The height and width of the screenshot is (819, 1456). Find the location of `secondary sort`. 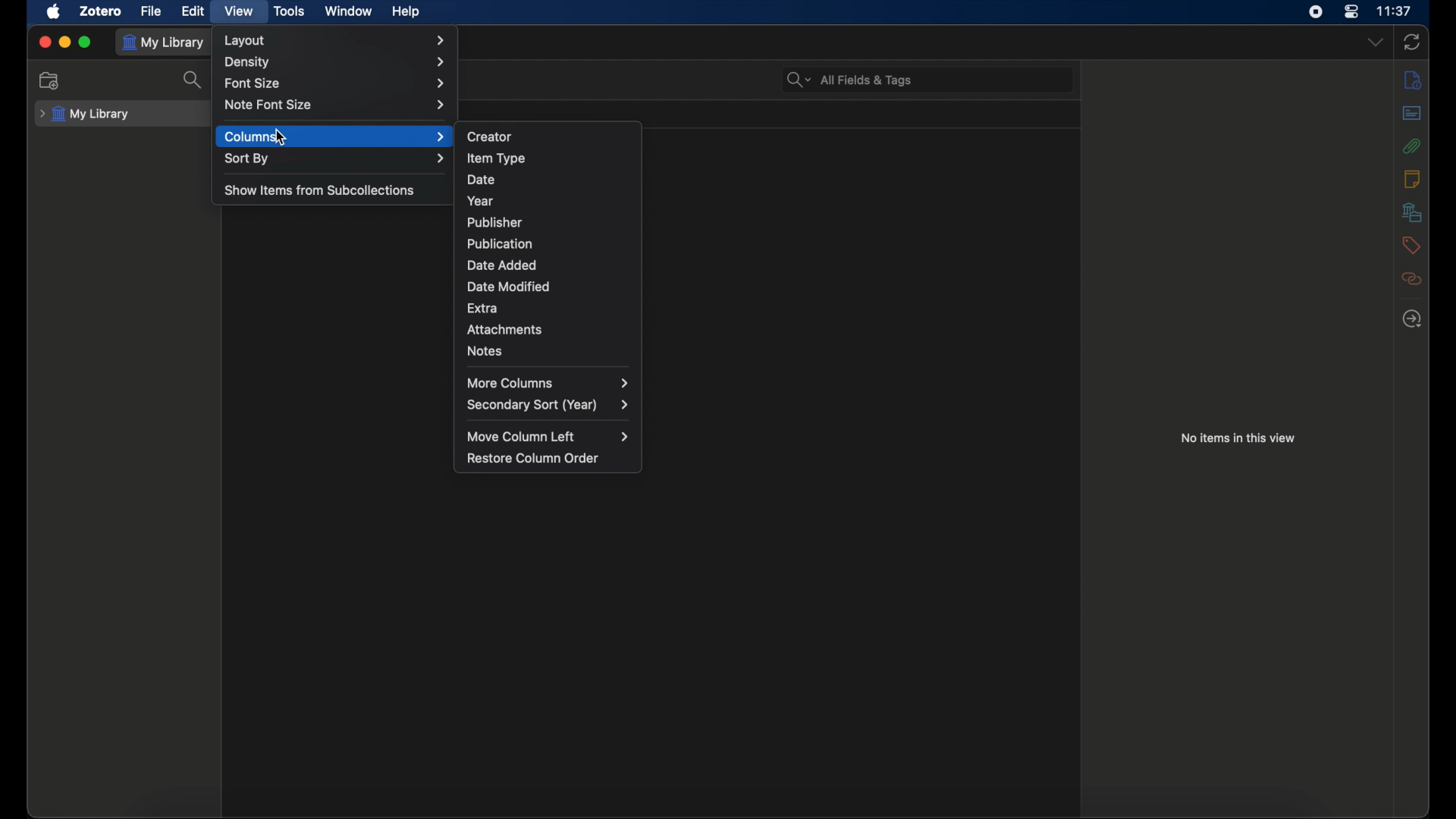

secondary sort is located at coordinates (549, 404).